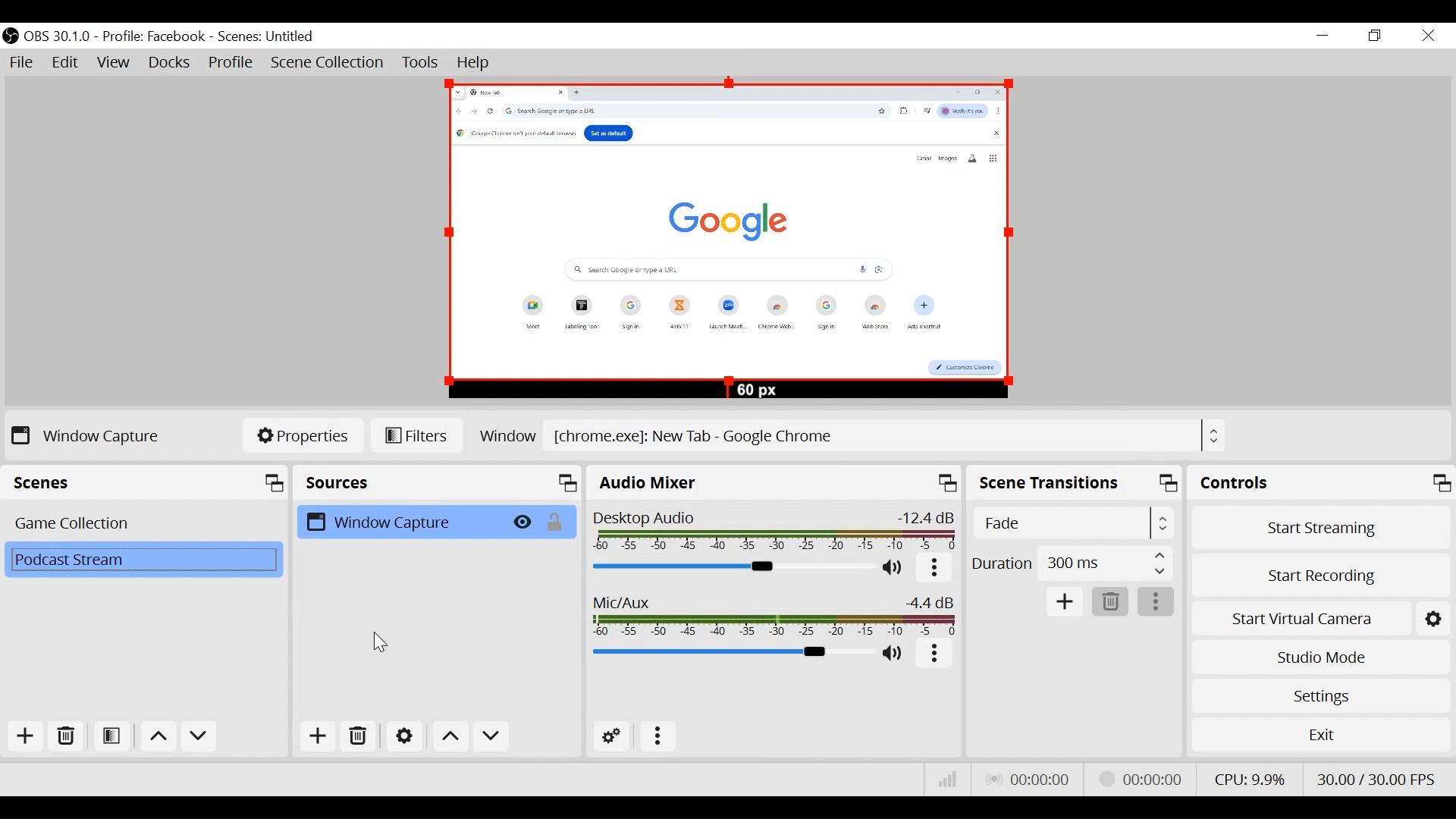 Image resolution: width=1456 pixels, height=819 pixels. I want to click on Desktop Audio, so click(775, 532).